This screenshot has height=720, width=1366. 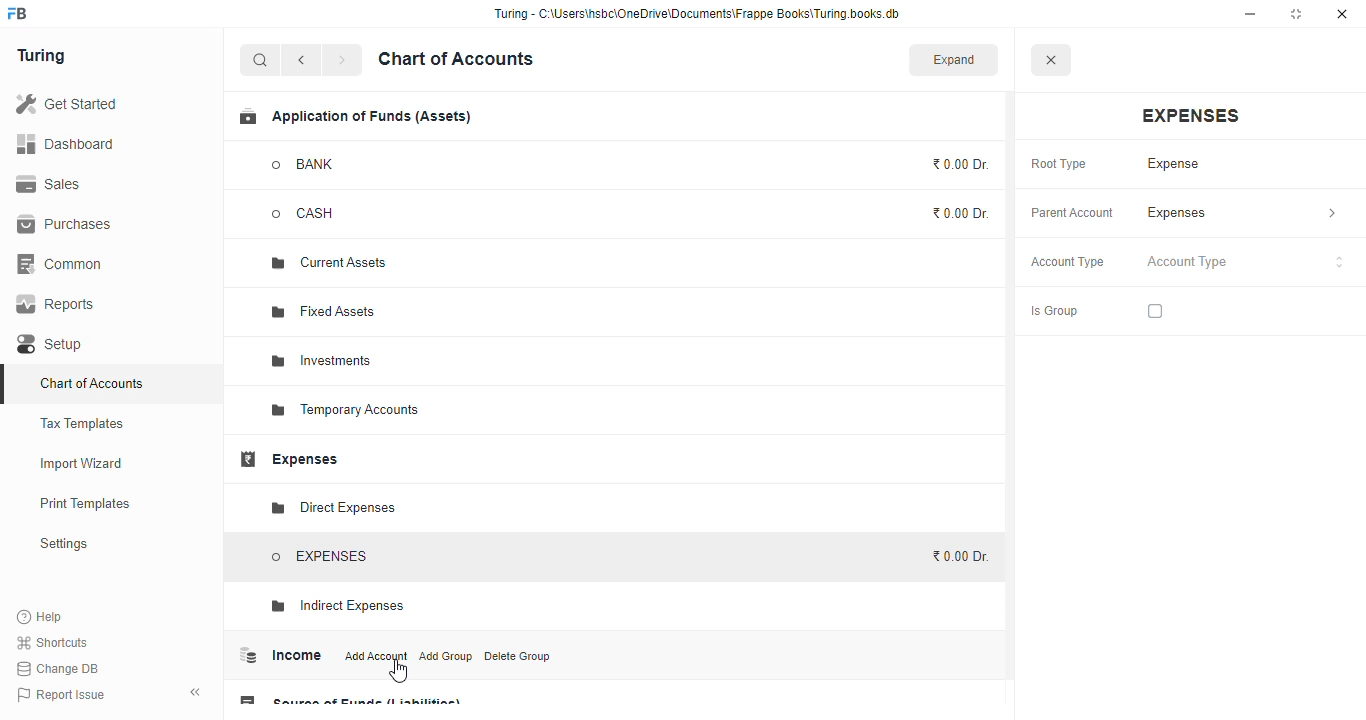 What do you see at coordinates (49, 184) in the screenshot?
I see `sales` at bounding box center [49, 184].